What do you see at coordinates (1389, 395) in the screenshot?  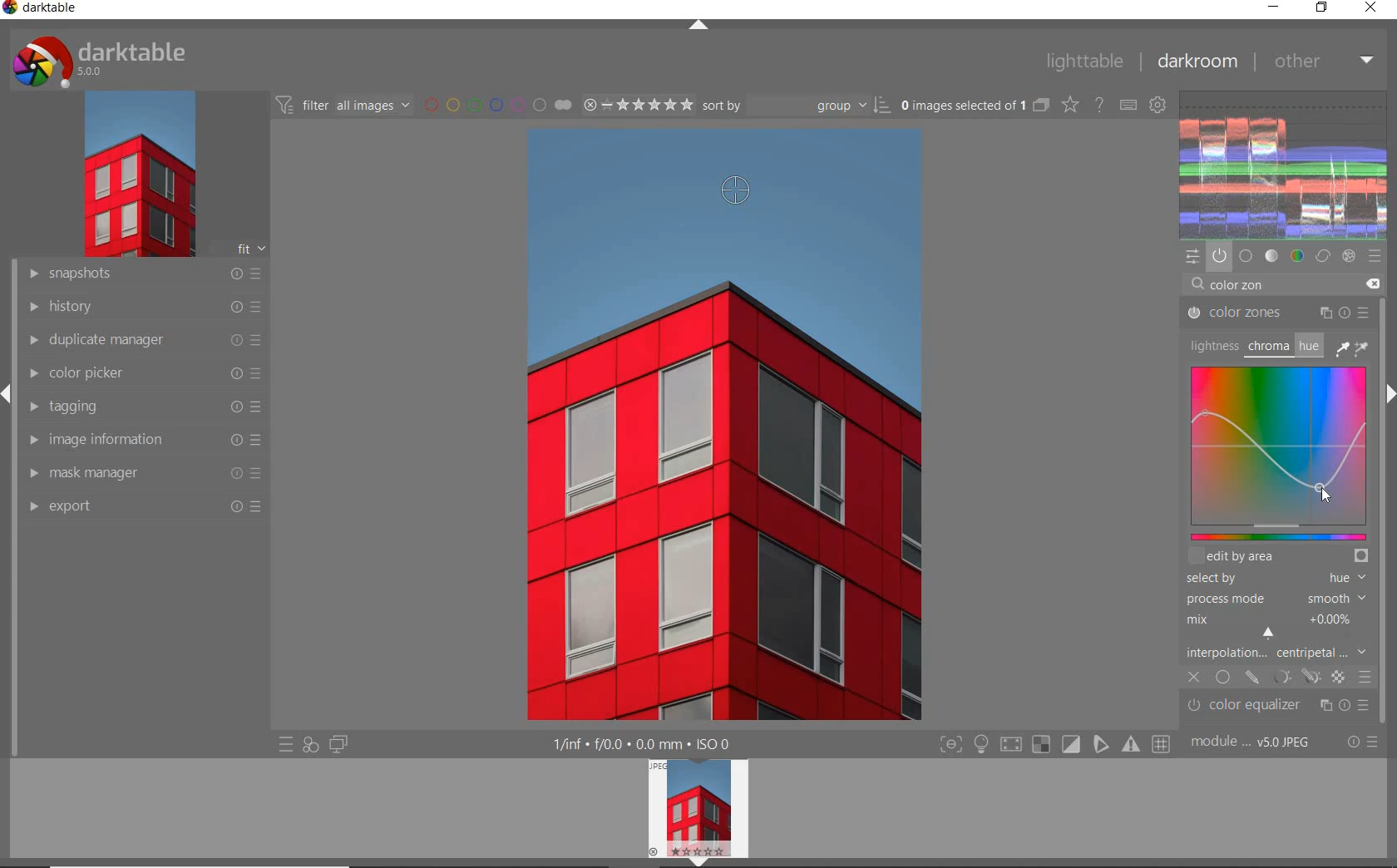 I see `expand/collapse` at bounding box center [1389, 395].